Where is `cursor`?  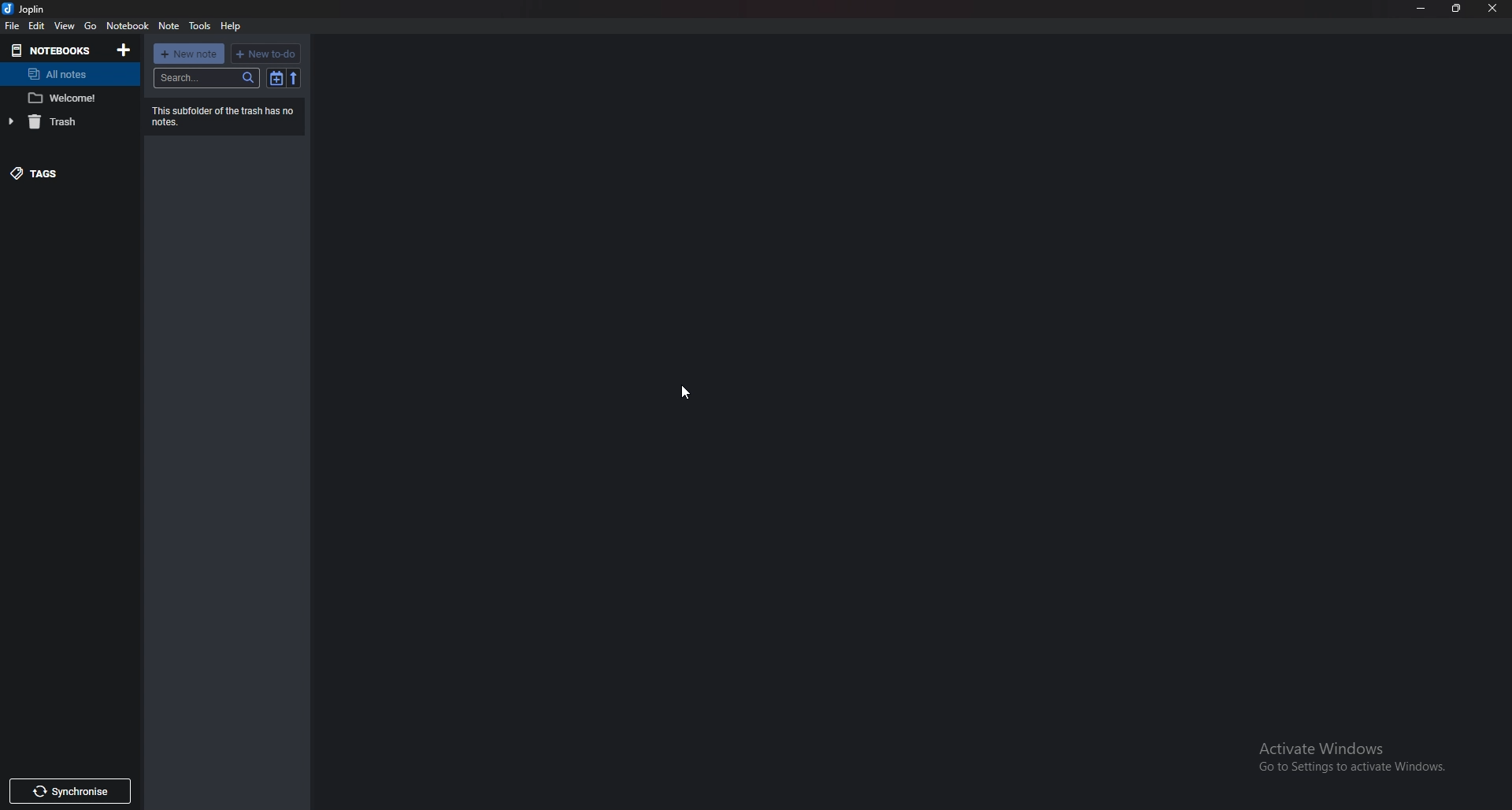
cursor is located at coordinates (687, 392).